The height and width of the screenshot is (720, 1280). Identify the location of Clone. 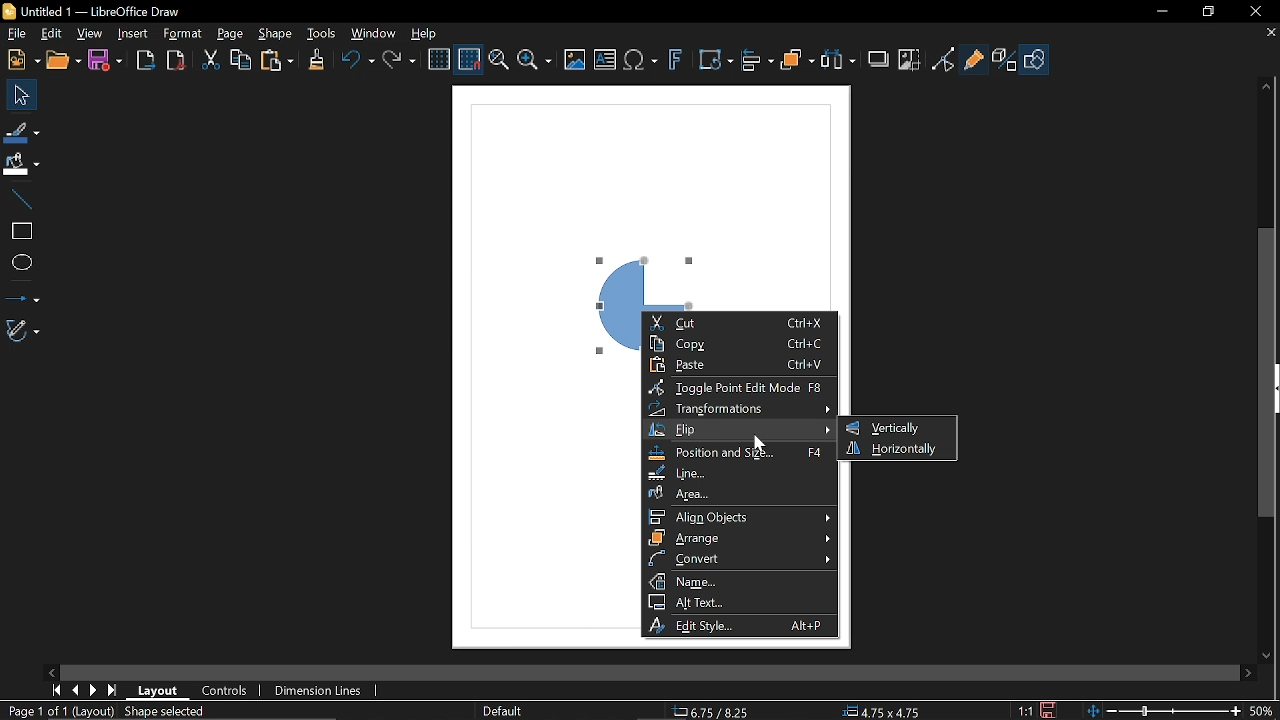
(316, 60).